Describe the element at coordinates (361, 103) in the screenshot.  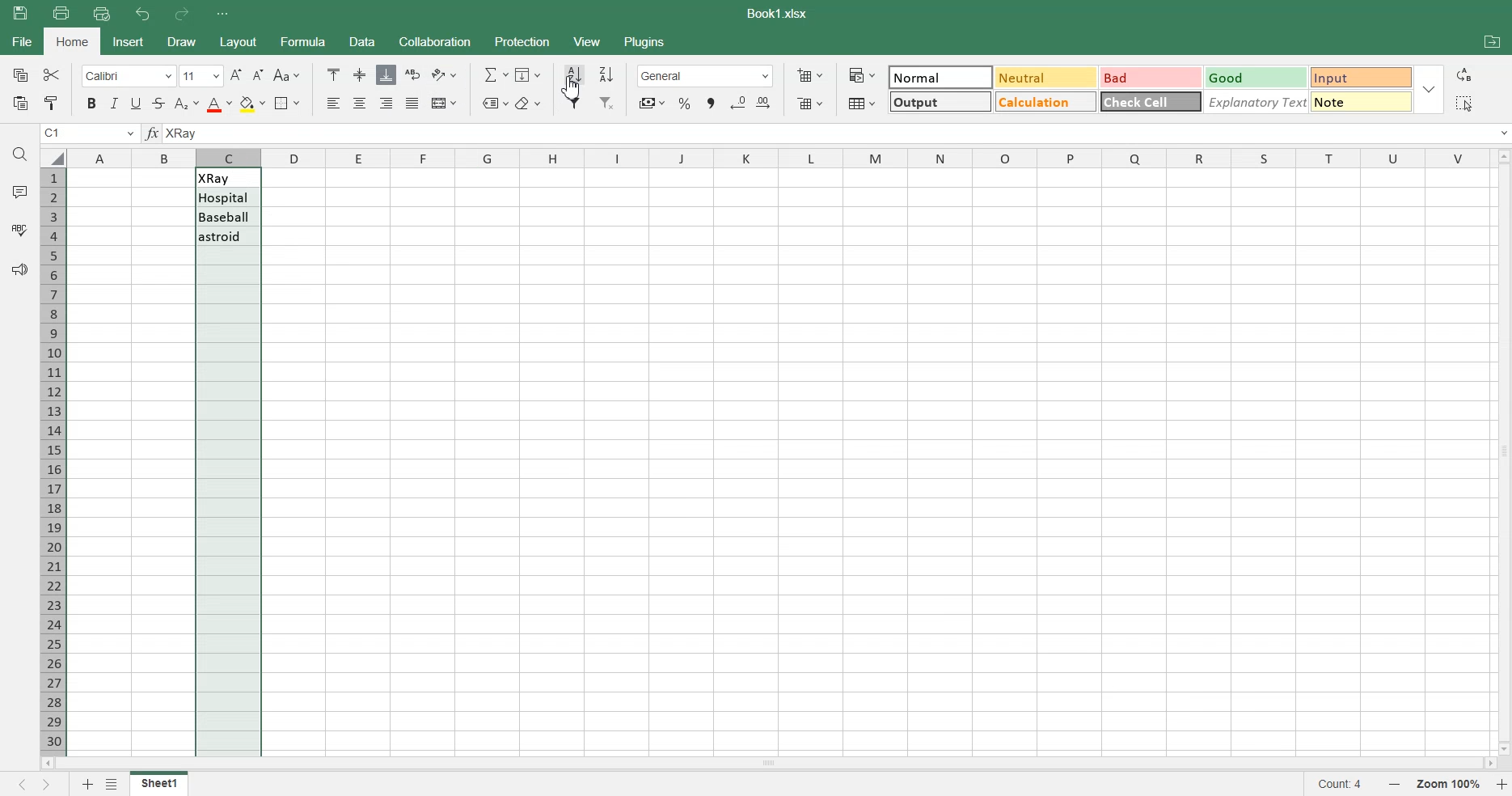
I see `Align Center` at that location.